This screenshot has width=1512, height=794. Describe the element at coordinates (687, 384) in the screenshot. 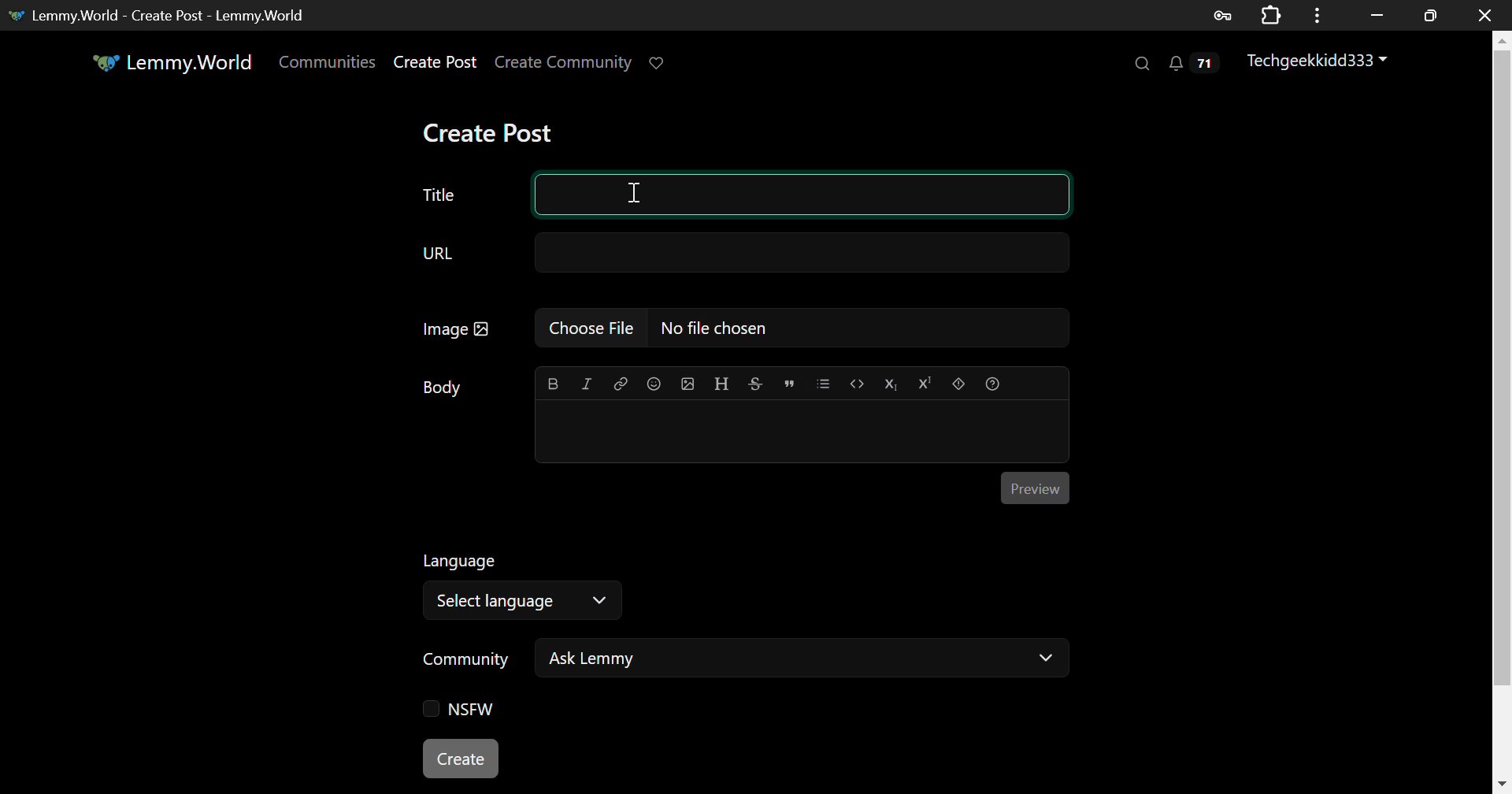

I see `Insert Image` at that location.